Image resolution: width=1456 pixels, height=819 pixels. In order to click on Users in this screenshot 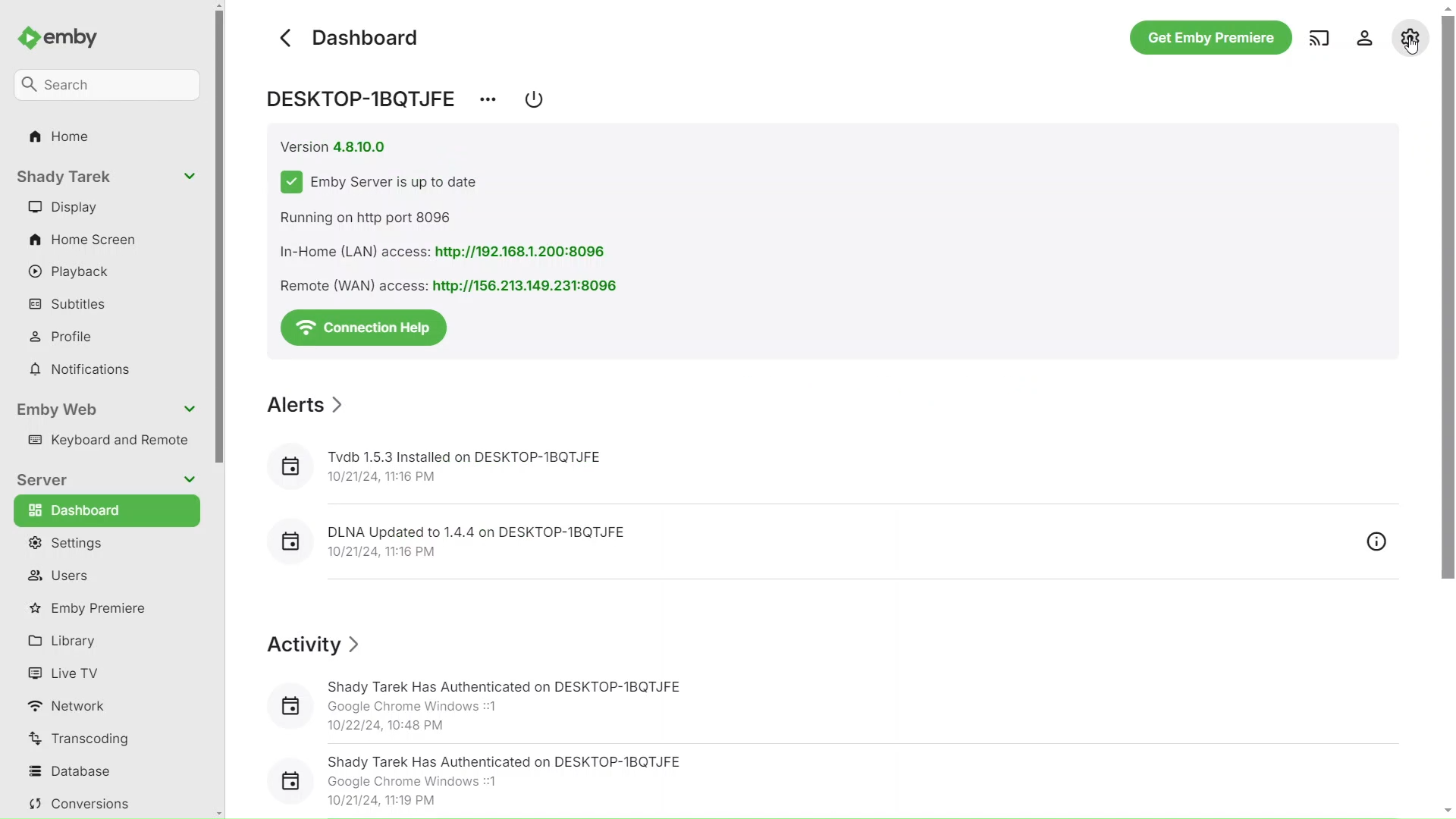, I will do `click(58, 576)`.